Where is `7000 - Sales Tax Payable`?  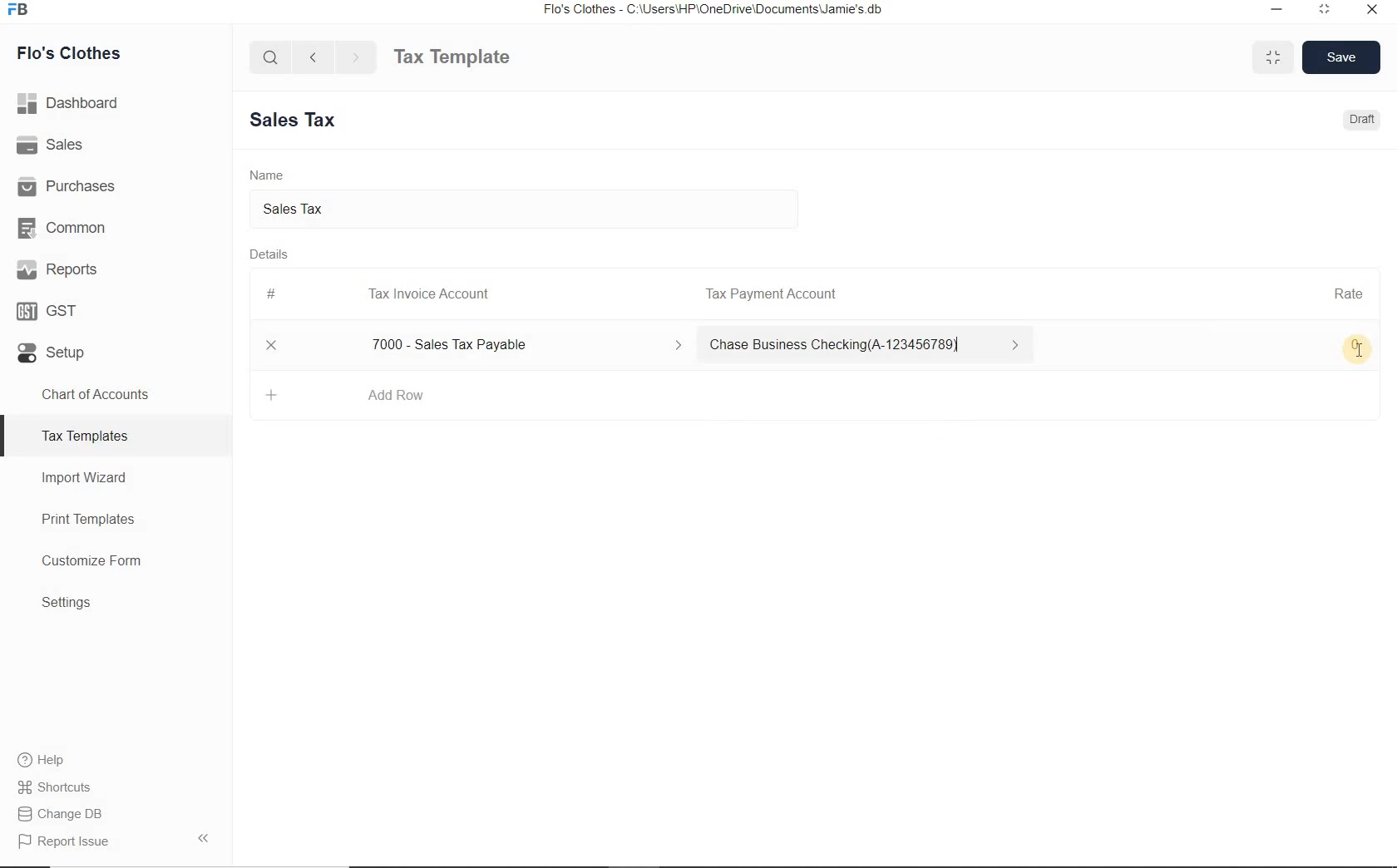
7000 - Sales Tax Payable is located at coordinates (522, 345).